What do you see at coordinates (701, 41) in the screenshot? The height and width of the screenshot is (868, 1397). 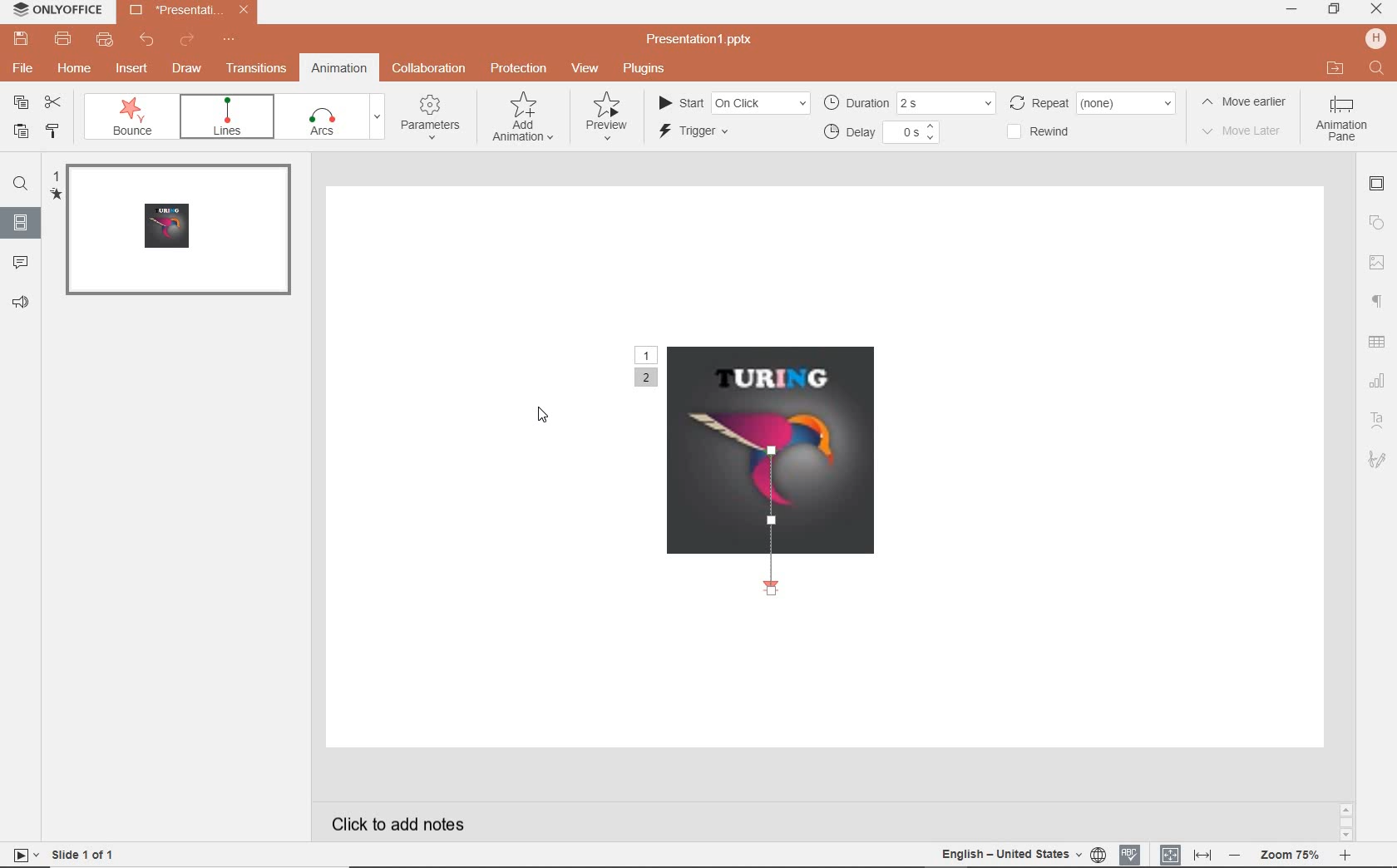 I see `presentation name` at bounding box center [701, 41].